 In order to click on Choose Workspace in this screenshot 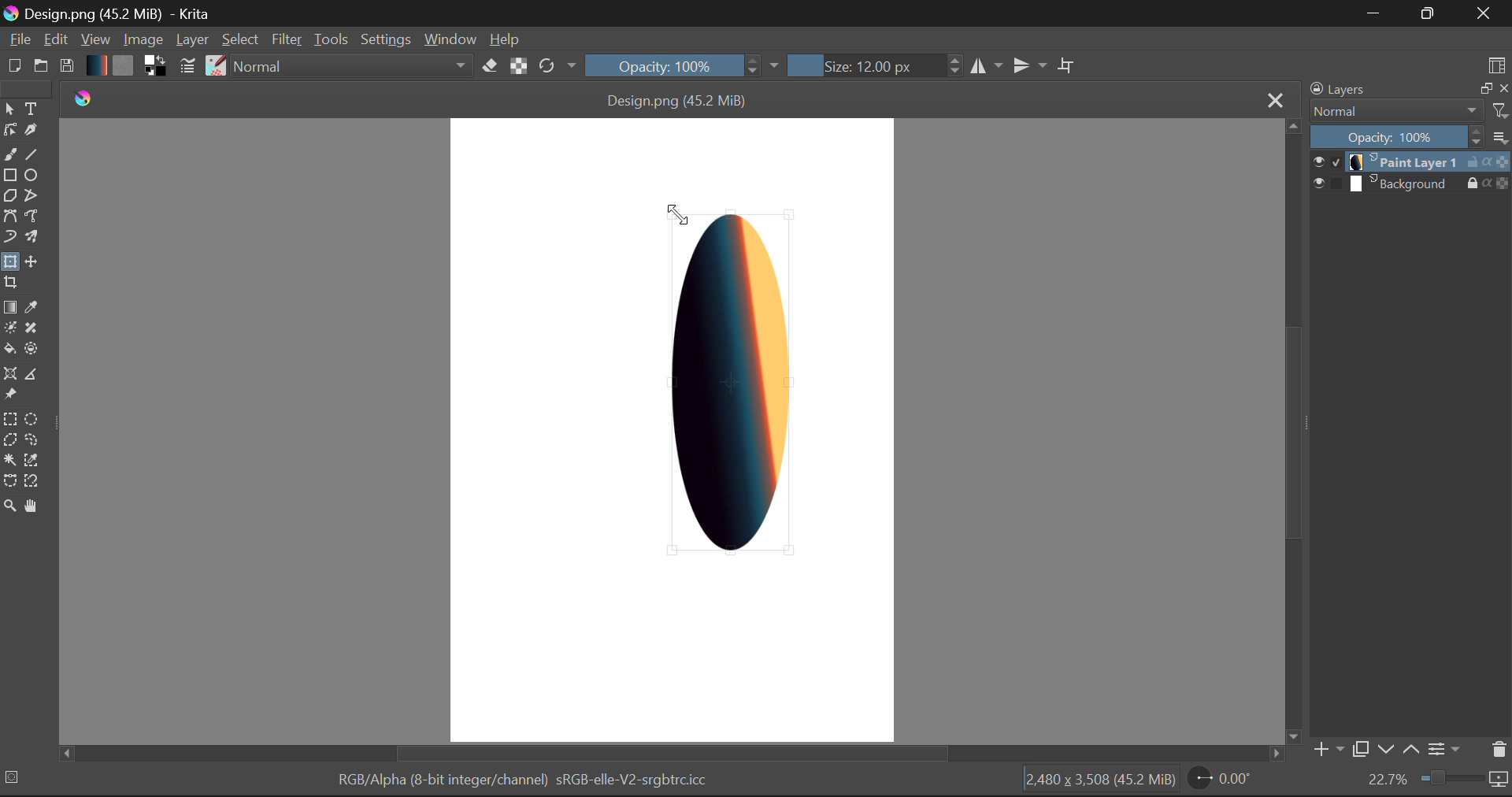, I will do `click(1497, 62)`.